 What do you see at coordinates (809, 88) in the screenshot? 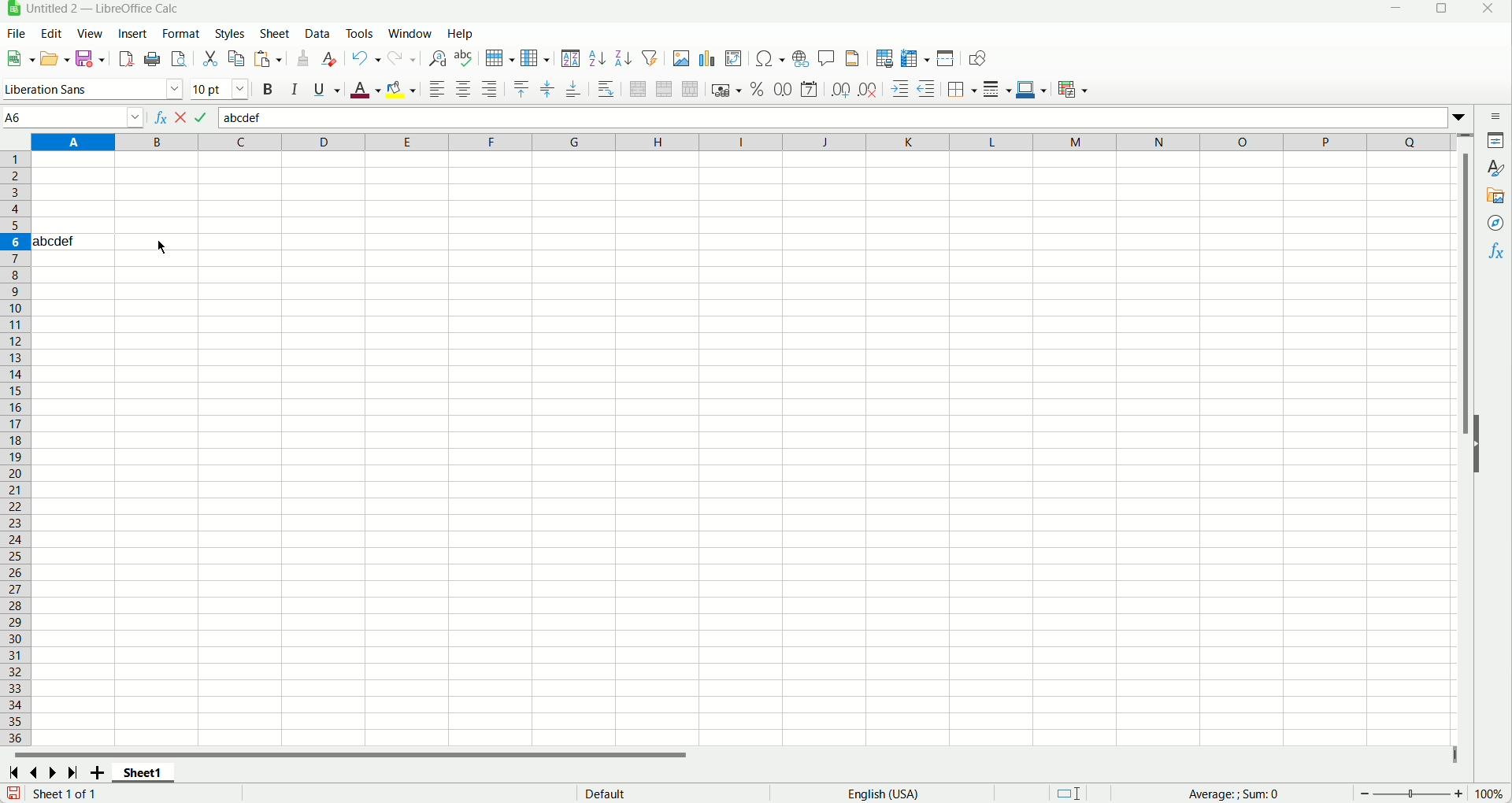
I see `format as date` at bounding box center [809, 88].